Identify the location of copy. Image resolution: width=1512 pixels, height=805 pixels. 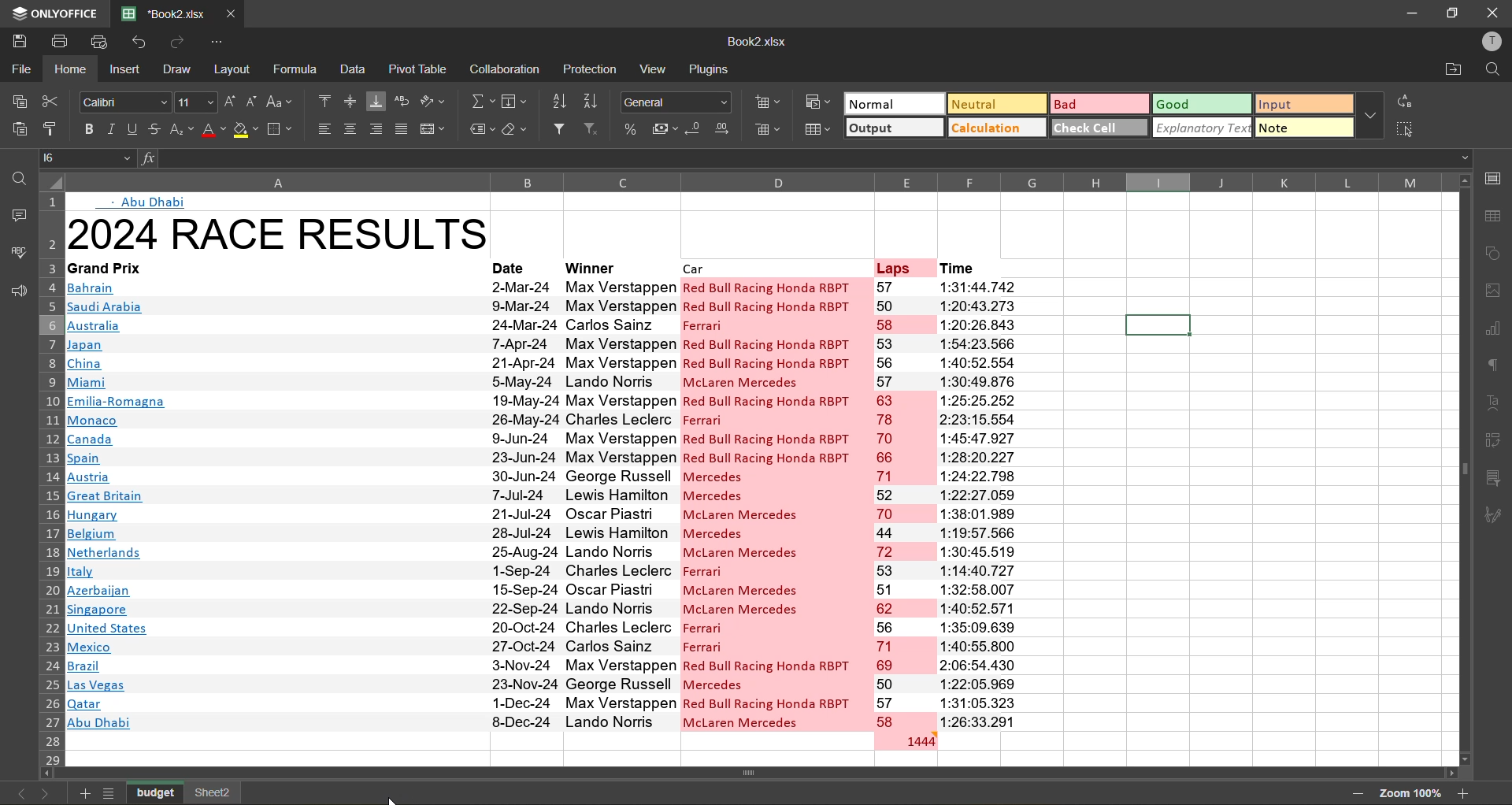
(23, 102).